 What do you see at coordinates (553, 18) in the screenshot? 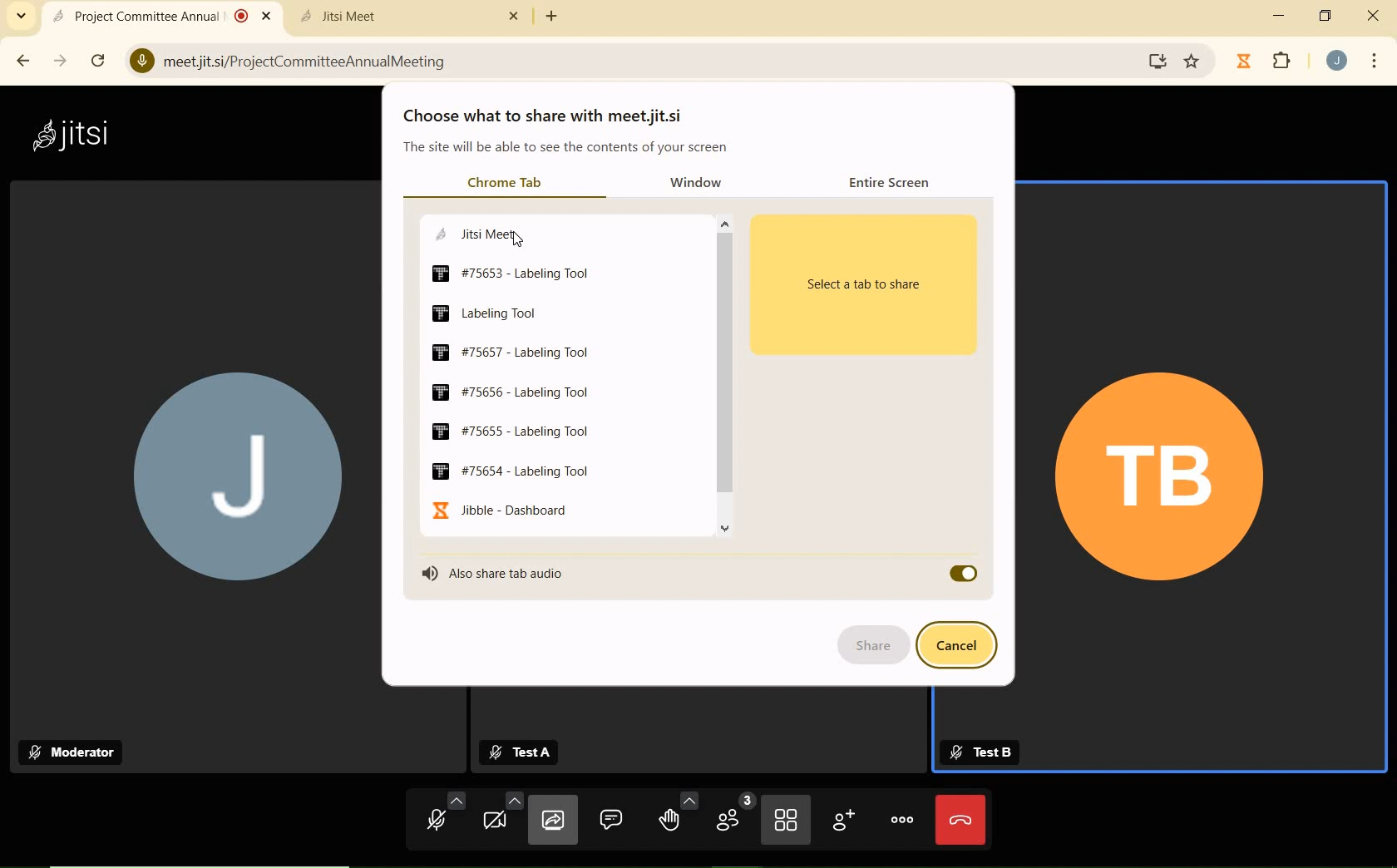
I see `new tab` at bounding box center [553, 18].